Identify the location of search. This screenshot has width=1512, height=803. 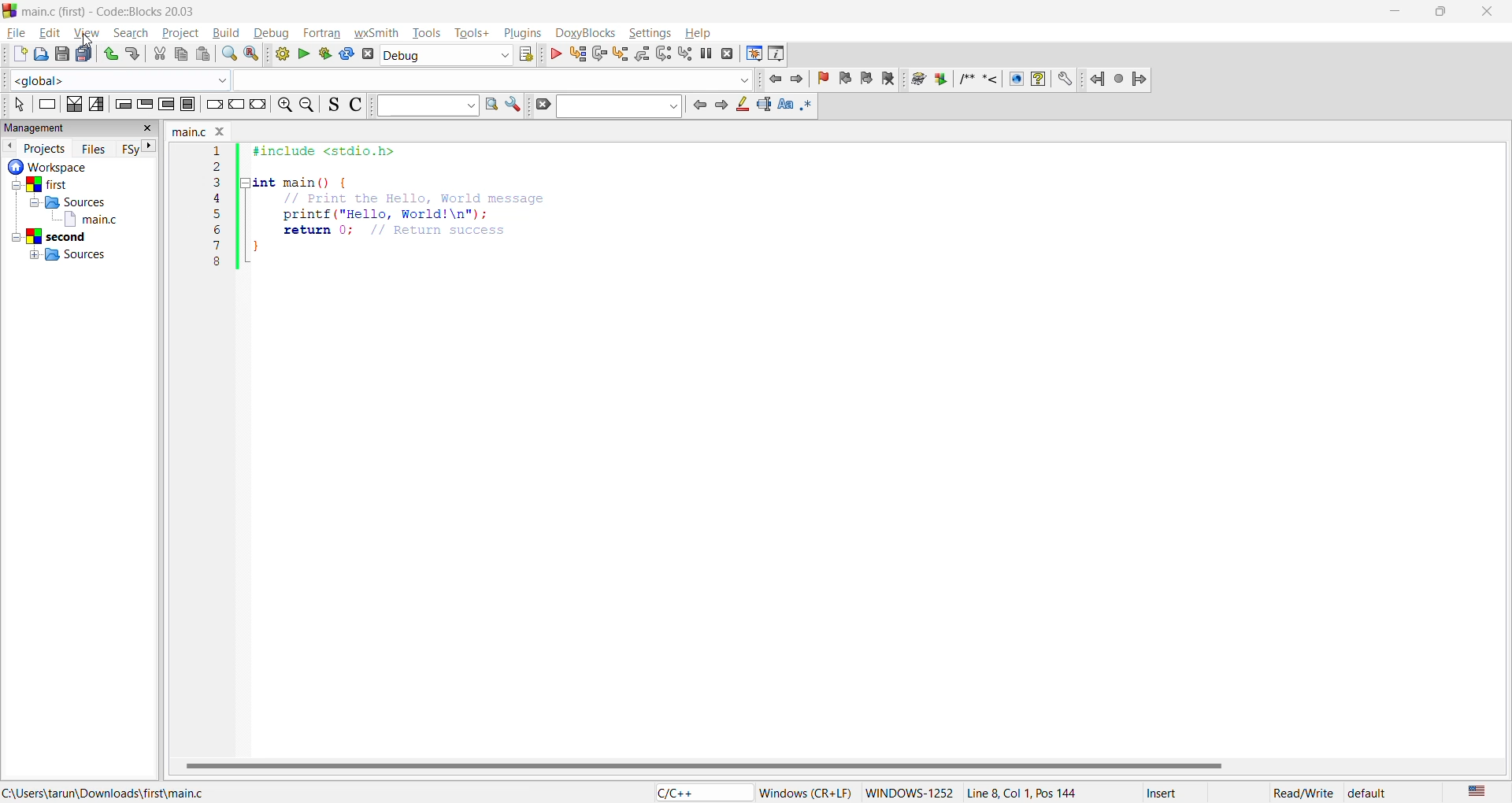
(621, 107).